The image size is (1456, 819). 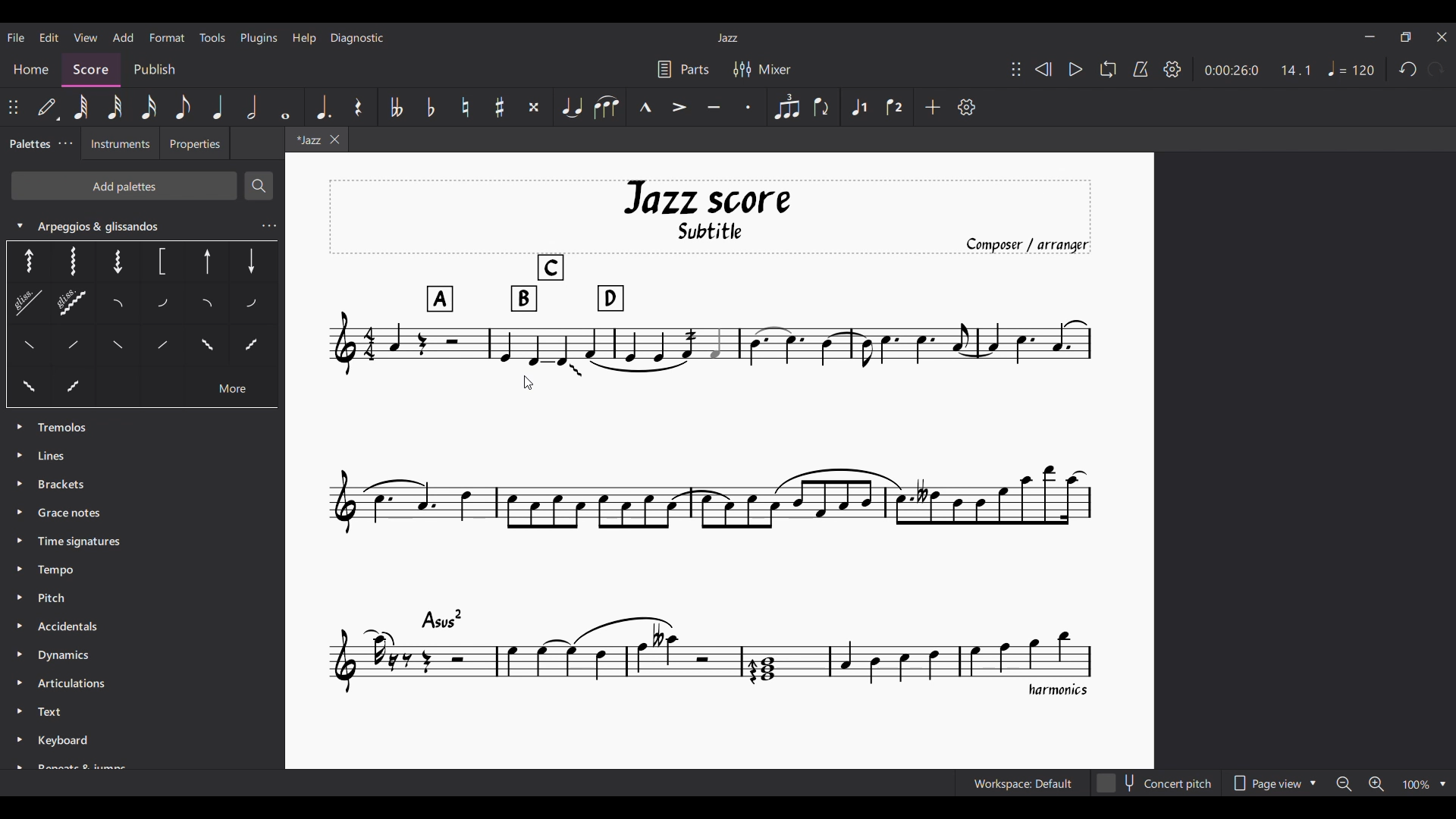 I want to click on Search, so click(x=258, y=186).